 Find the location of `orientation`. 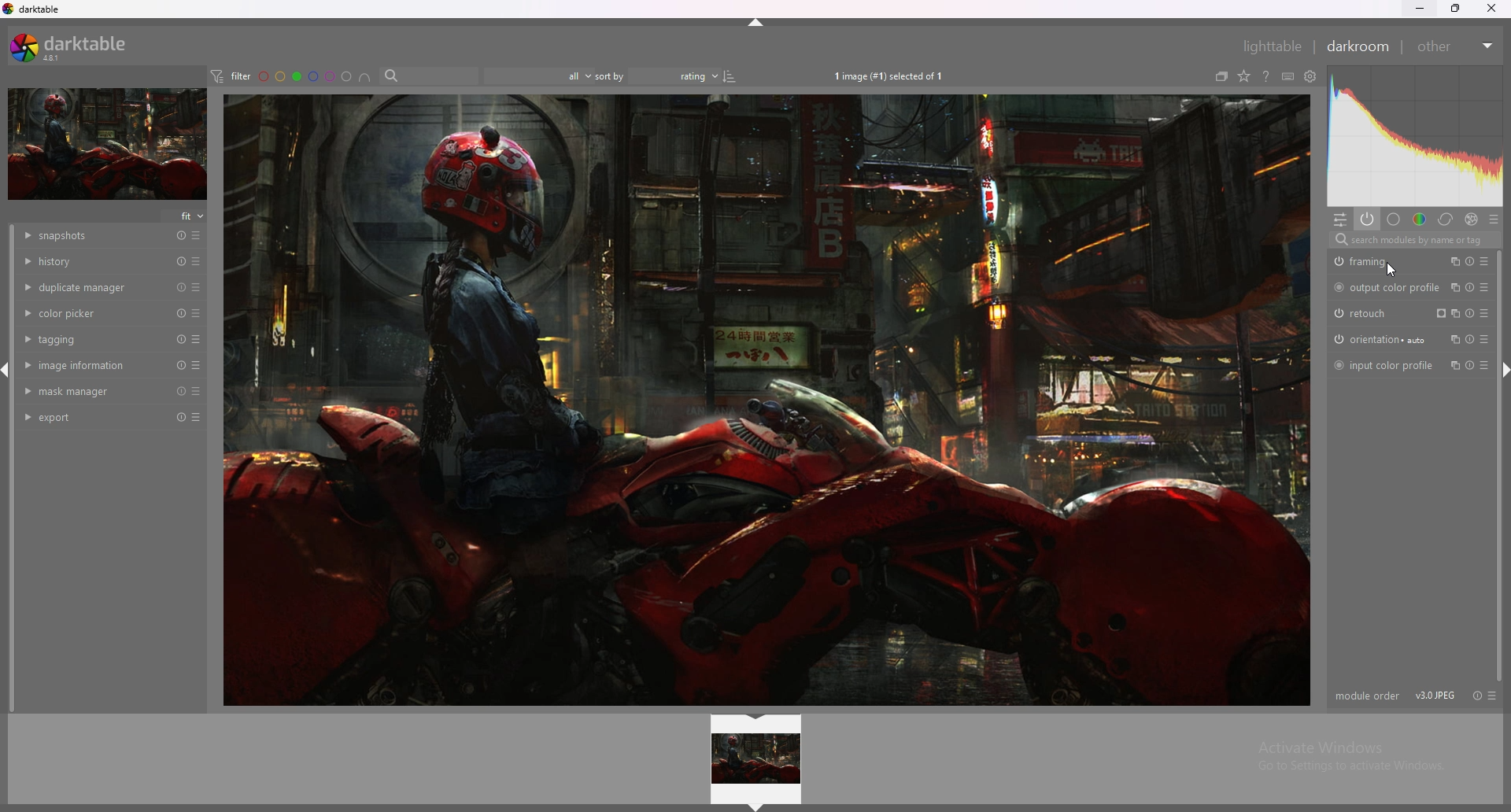

orientation is located at coordinates (1383, 340).